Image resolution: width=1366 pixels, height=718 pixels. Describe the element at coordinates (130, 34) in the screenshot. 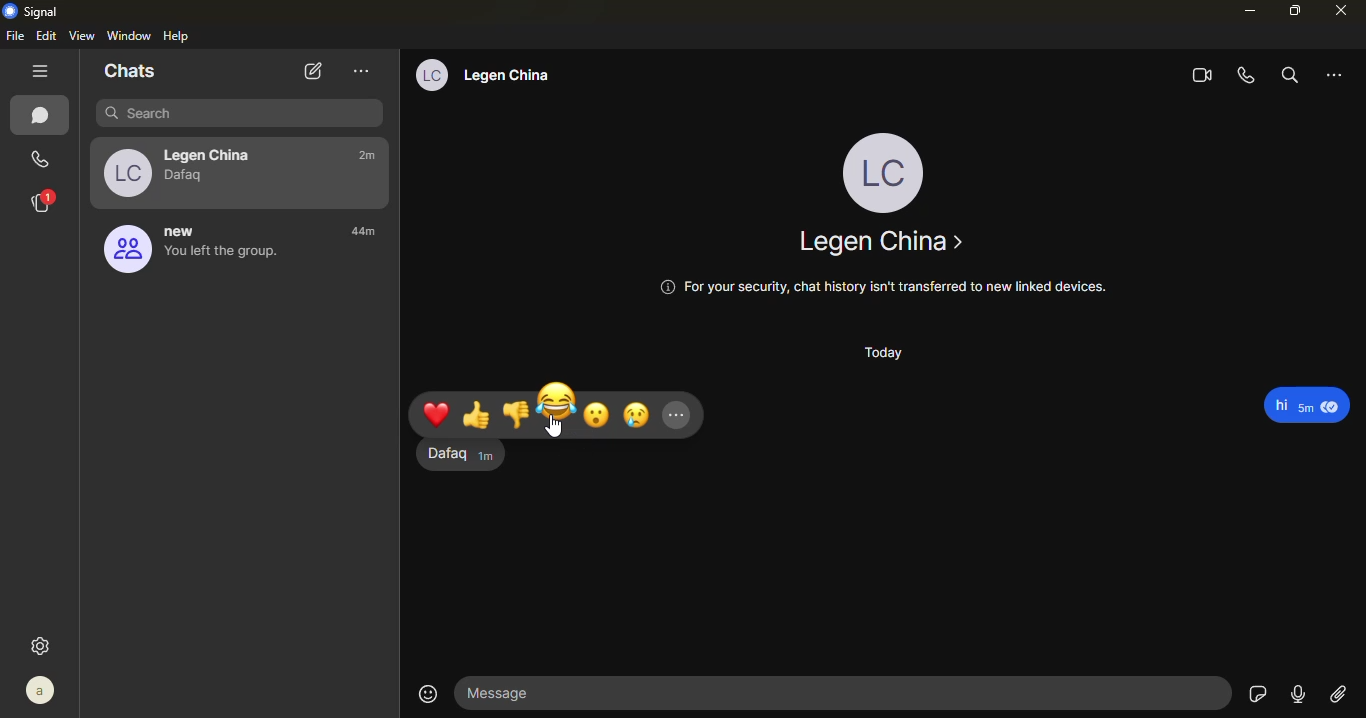

I see `window` at that location.